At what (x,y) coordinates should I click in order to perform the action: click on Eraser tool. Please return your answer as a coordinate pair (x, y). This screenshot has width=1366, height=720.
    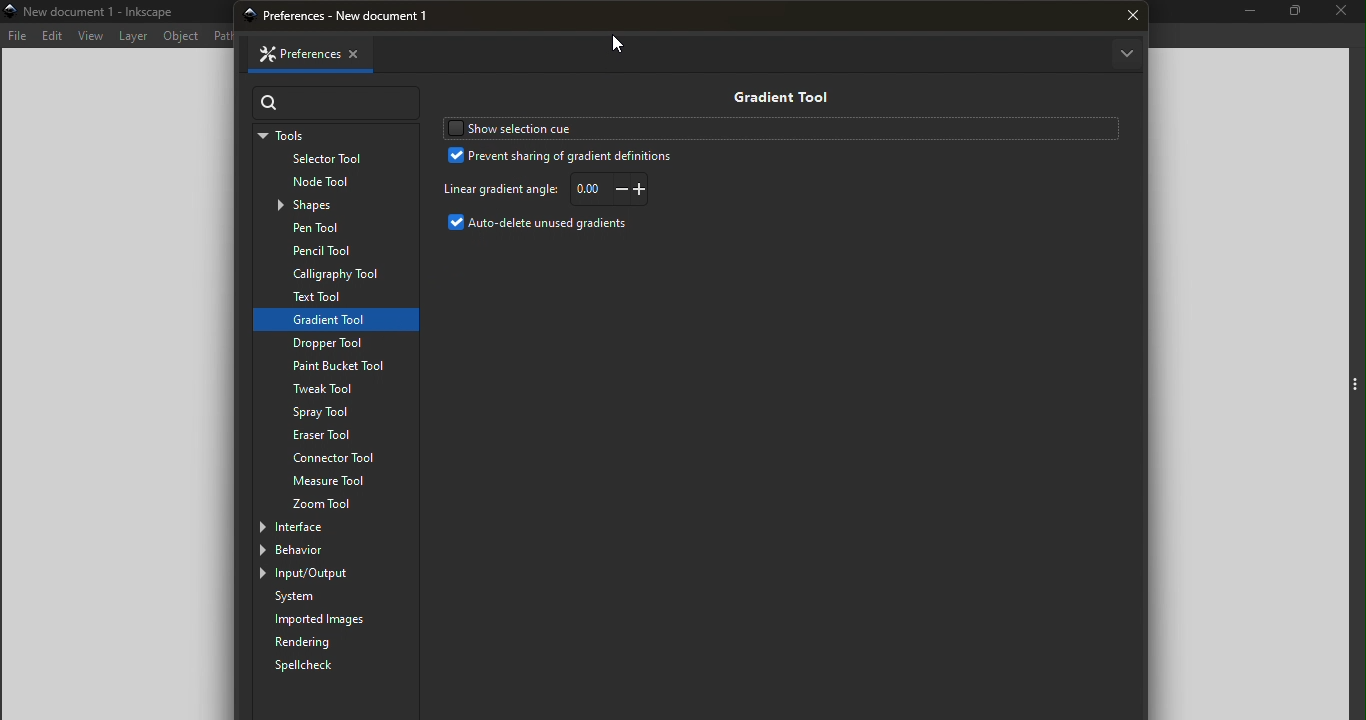
    Looking at the image, I should click on (336, 435).